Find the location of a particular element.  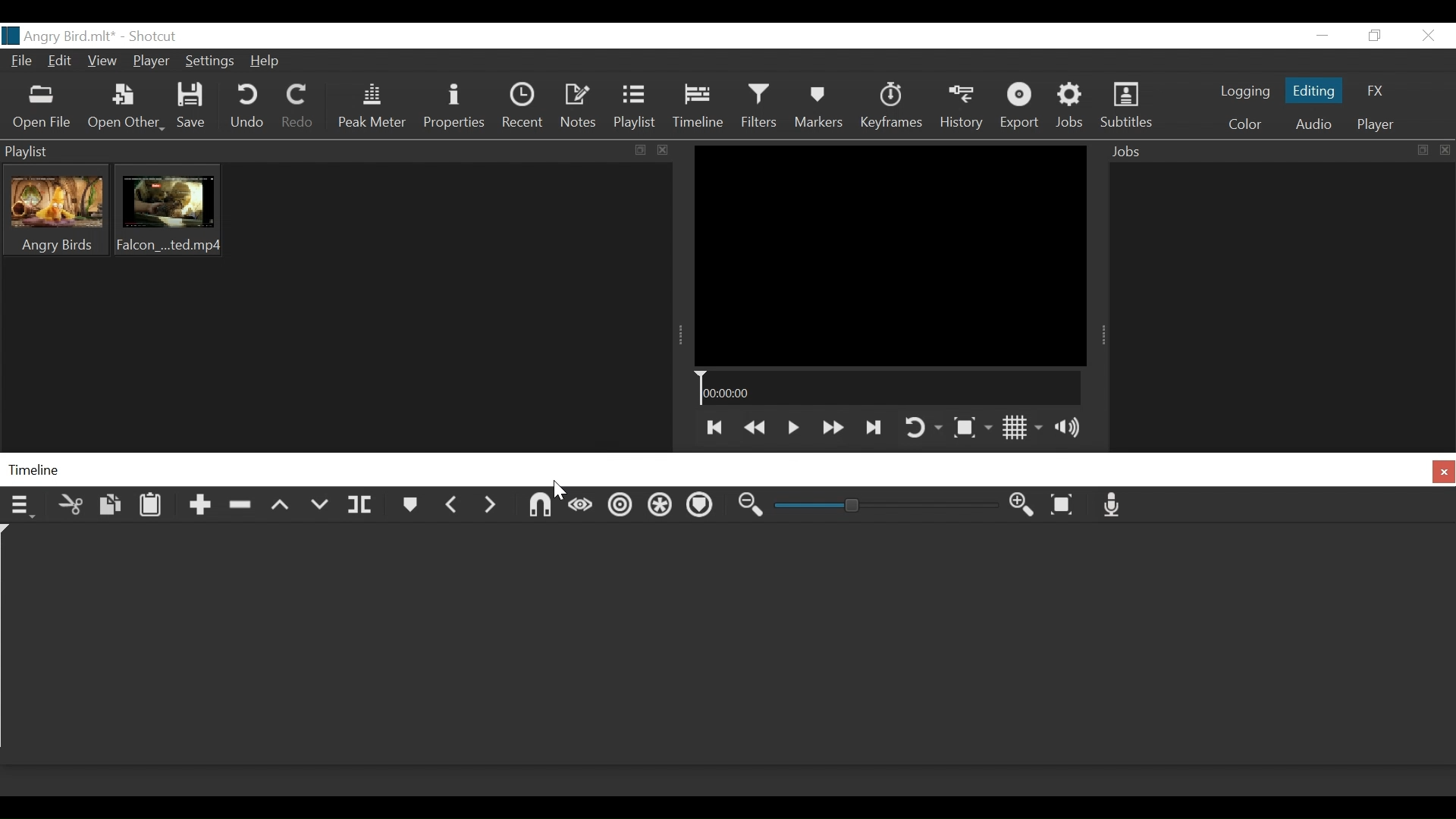

Toggle player on looping is located at coordinates (923, 427).